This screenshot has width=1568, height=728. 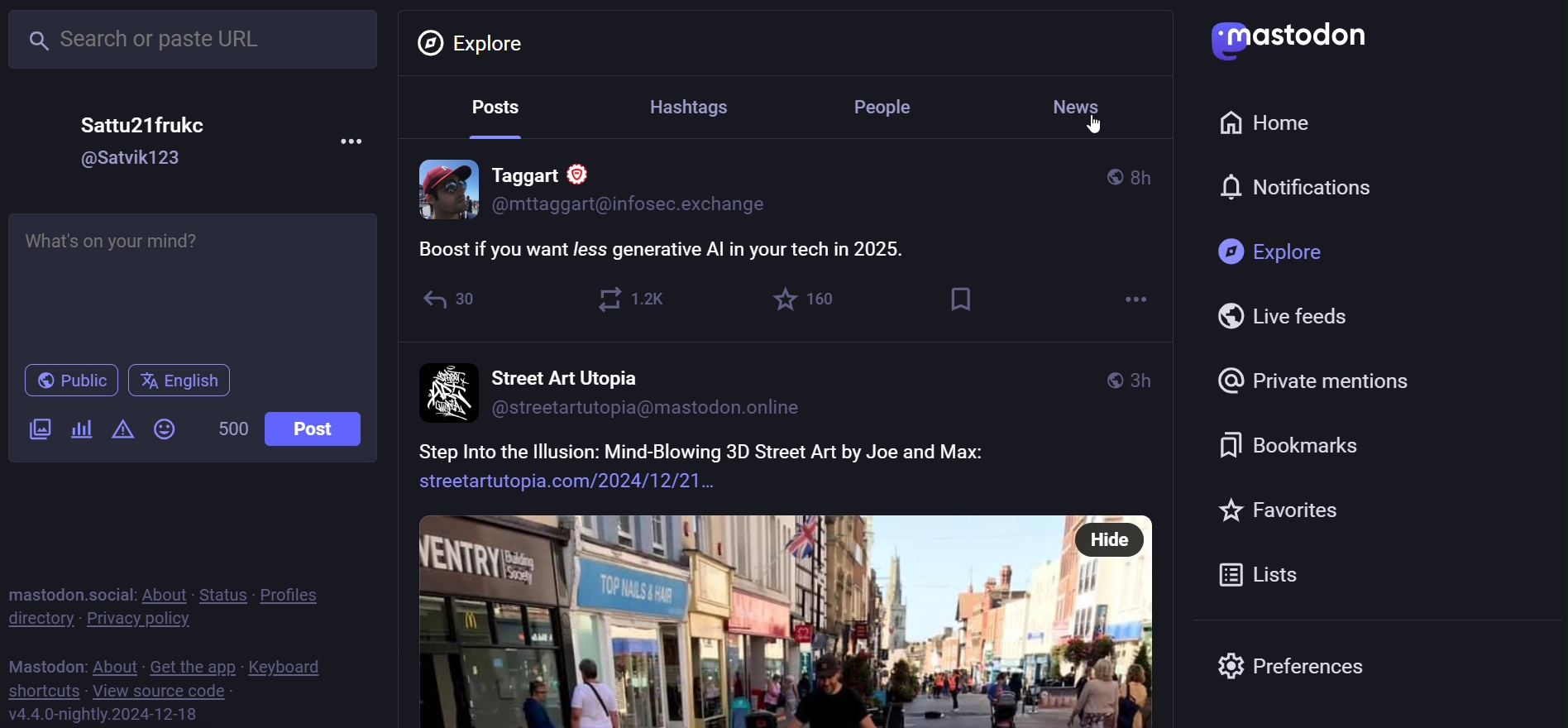 I want to click on bookmark, so click(x=1297, y=442).